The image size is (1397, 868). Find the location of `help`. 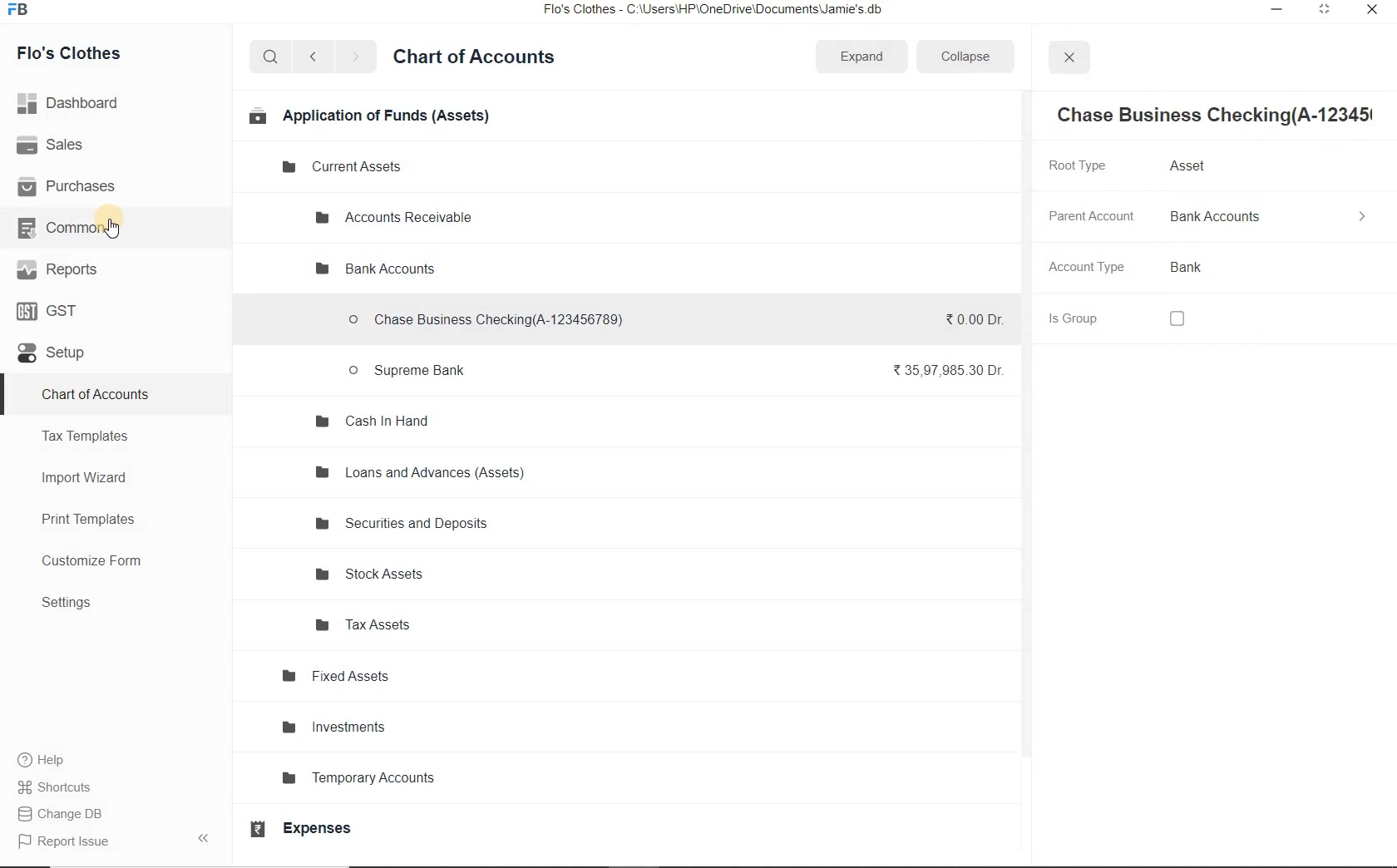

help is located at coordinates (42, 760).